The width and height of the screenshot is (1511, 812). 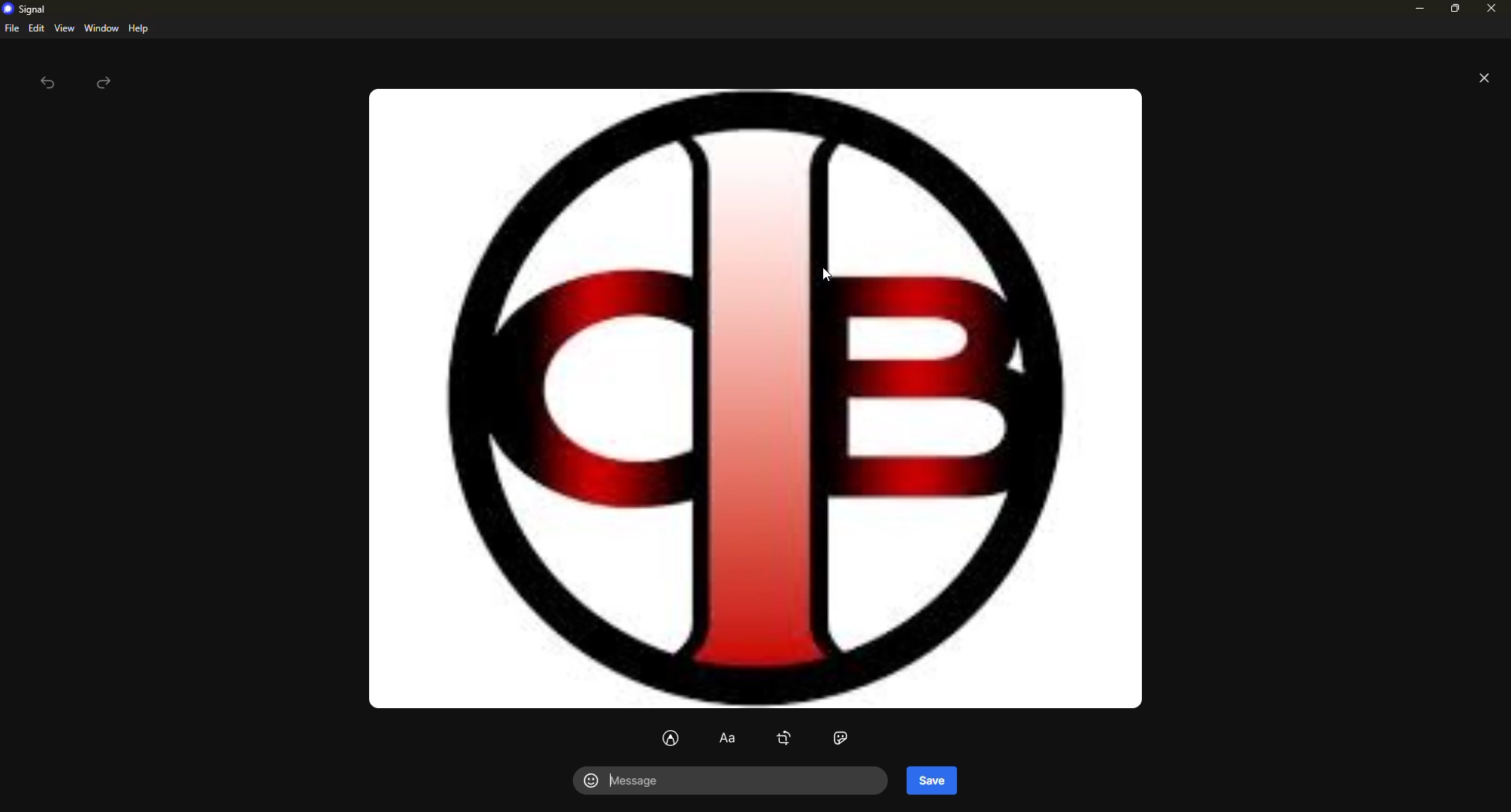 What do you see at coordinates (36, 28) in the screenshot?
I see `edit` at bounding box center [36, 28].